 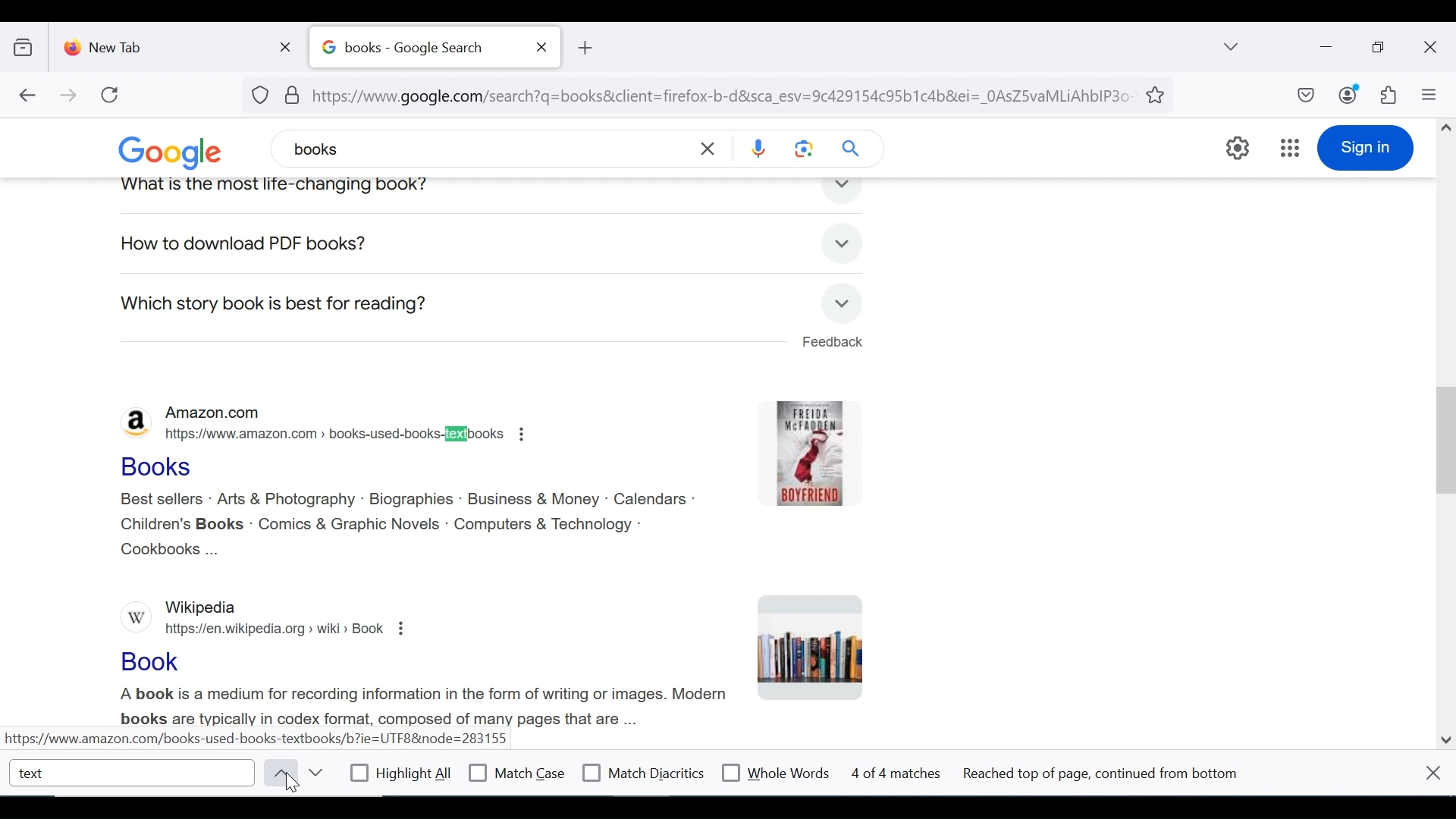 What do you see at coordinates (289, 44) in the screenshot?
I see `close tab` at bounding box center [289, 44].